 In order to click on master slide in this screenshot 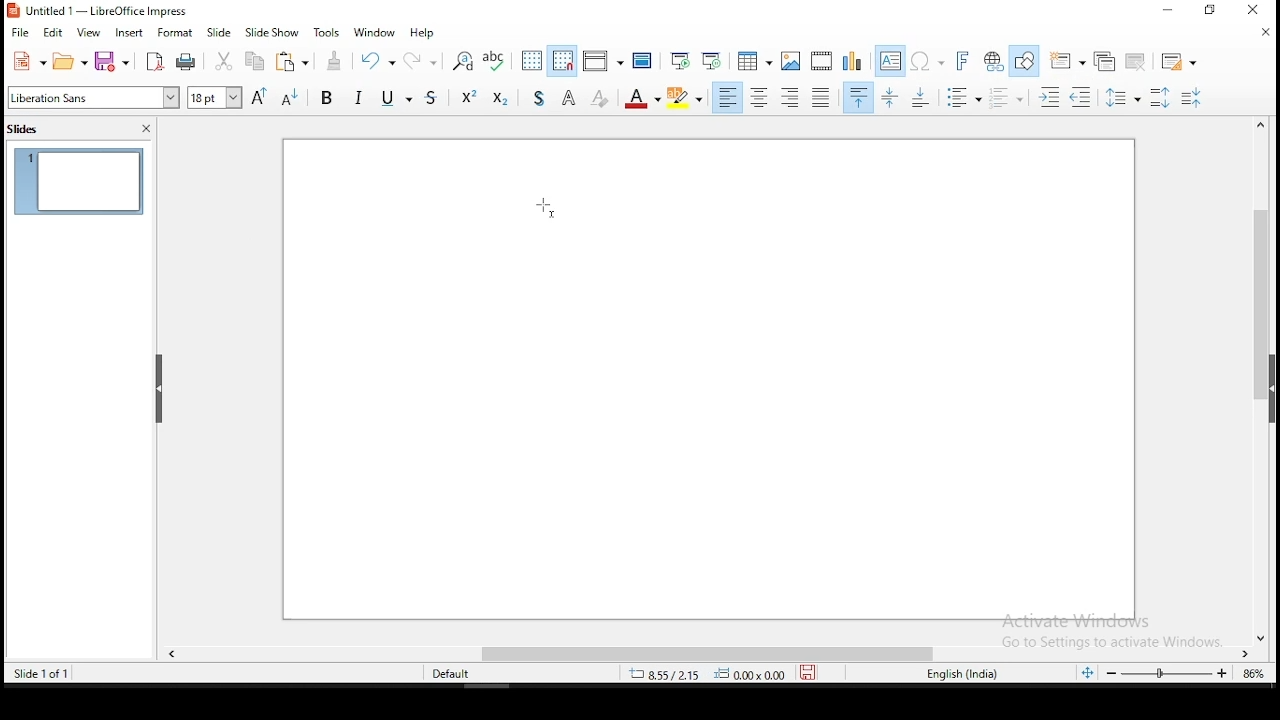, I will do `click(644, 63)`.